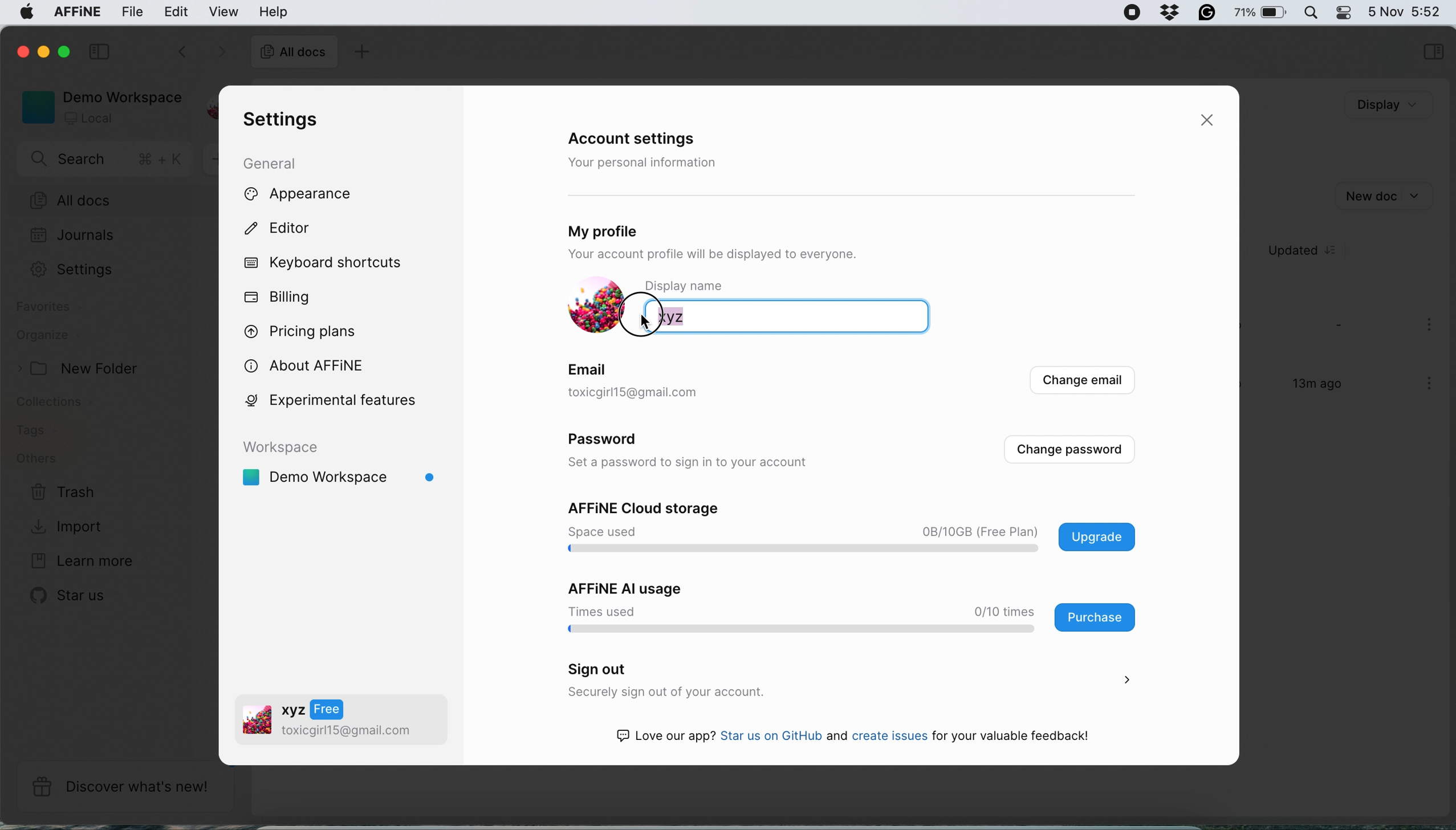  Describe the element at coordinates (226, 11) in the screenshot. I see `view` at that location.